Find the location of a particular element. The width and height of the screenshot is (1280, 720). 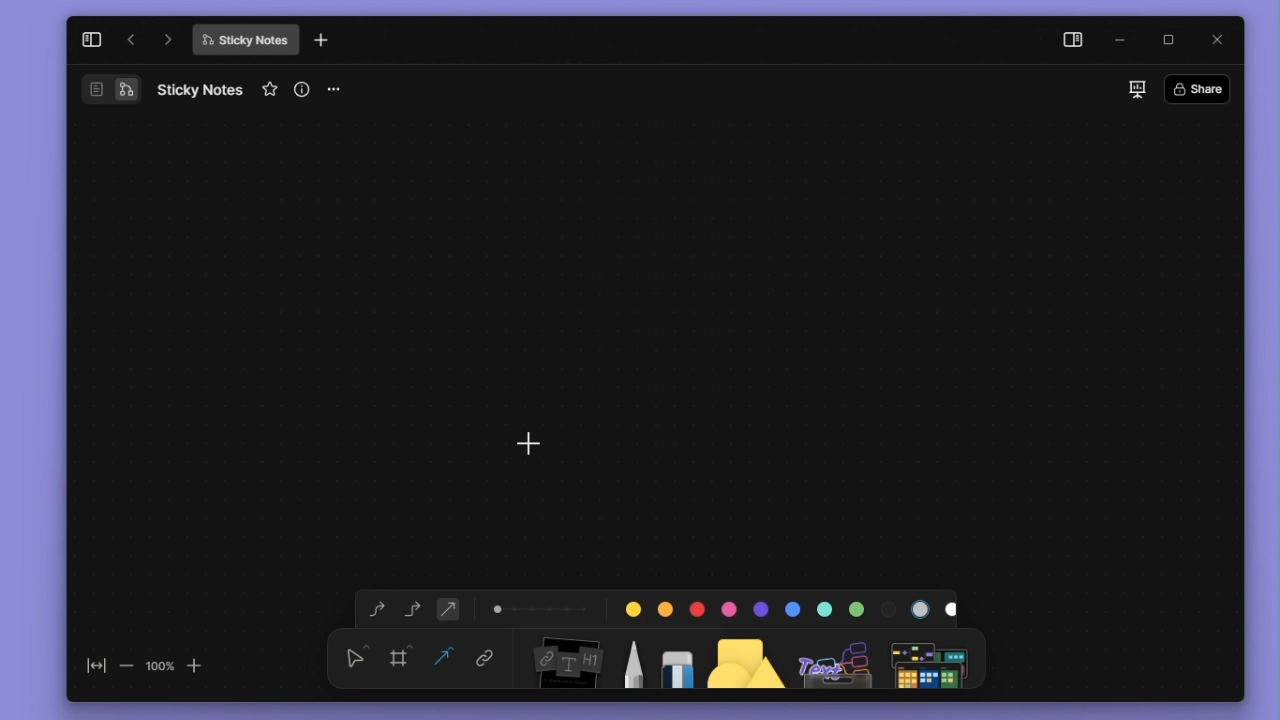

shape is located at coordinates (747, 657).